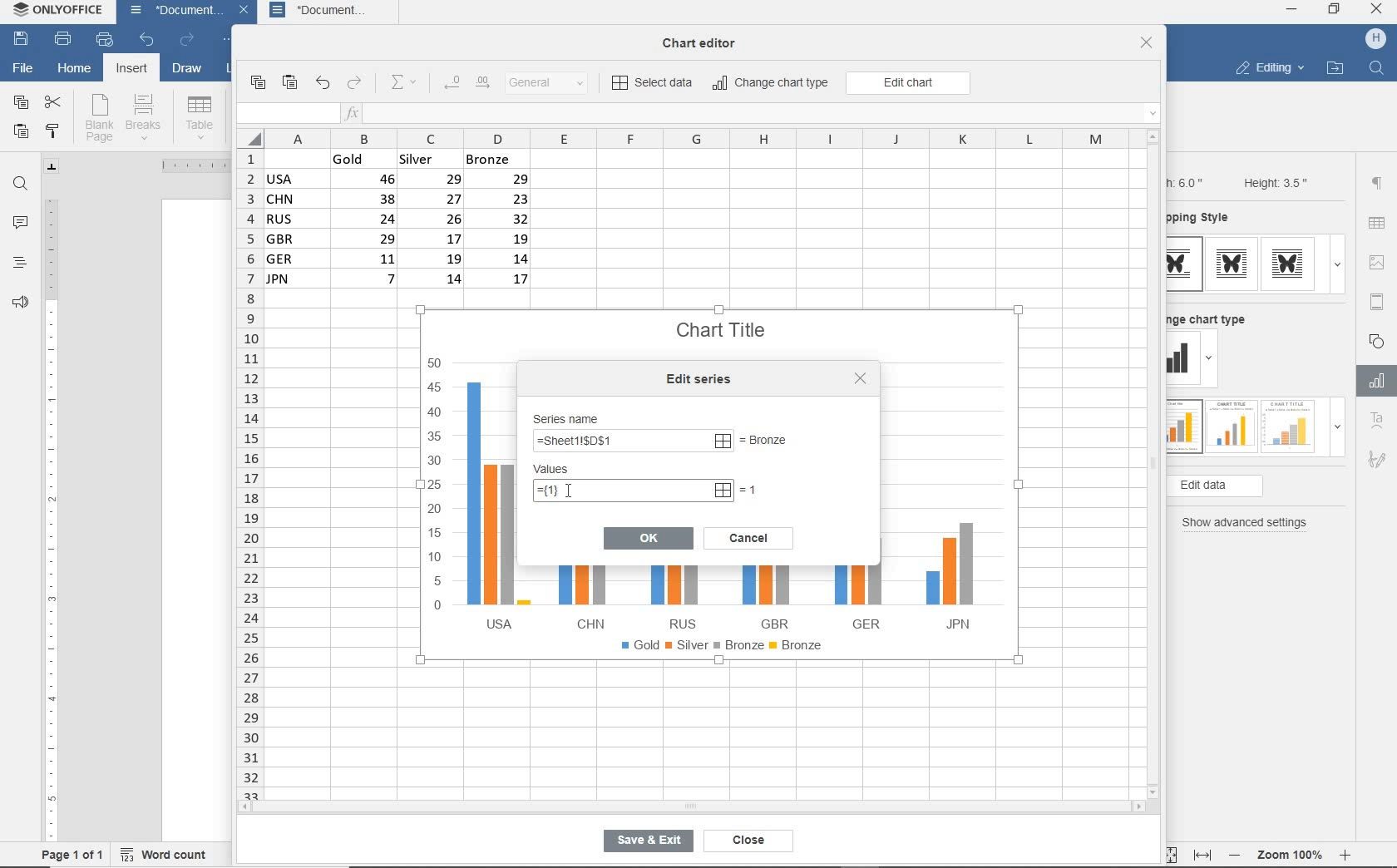 Image resolution: width=1397 pixels, height=868 pixels. I want to click on print, so click(62, 40).